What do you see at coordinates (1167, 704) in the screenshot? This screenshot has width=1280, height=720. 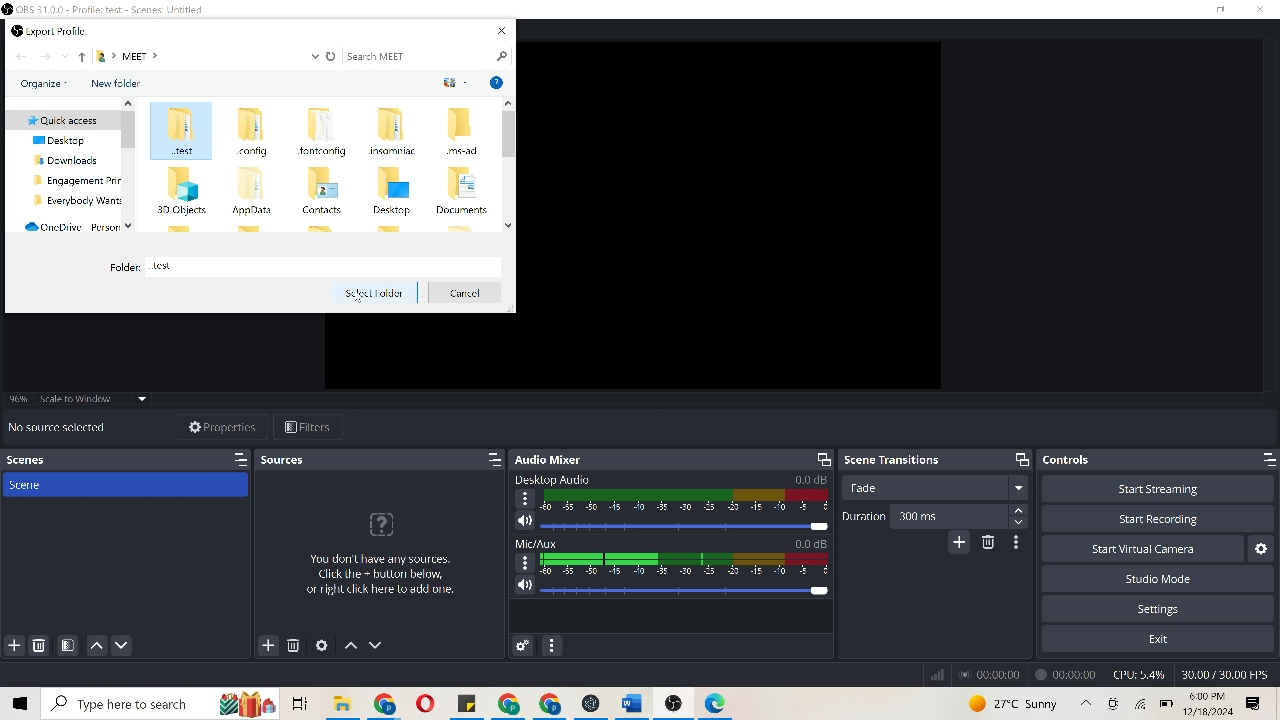 I see `battery` at bounding box center [1167, 704].